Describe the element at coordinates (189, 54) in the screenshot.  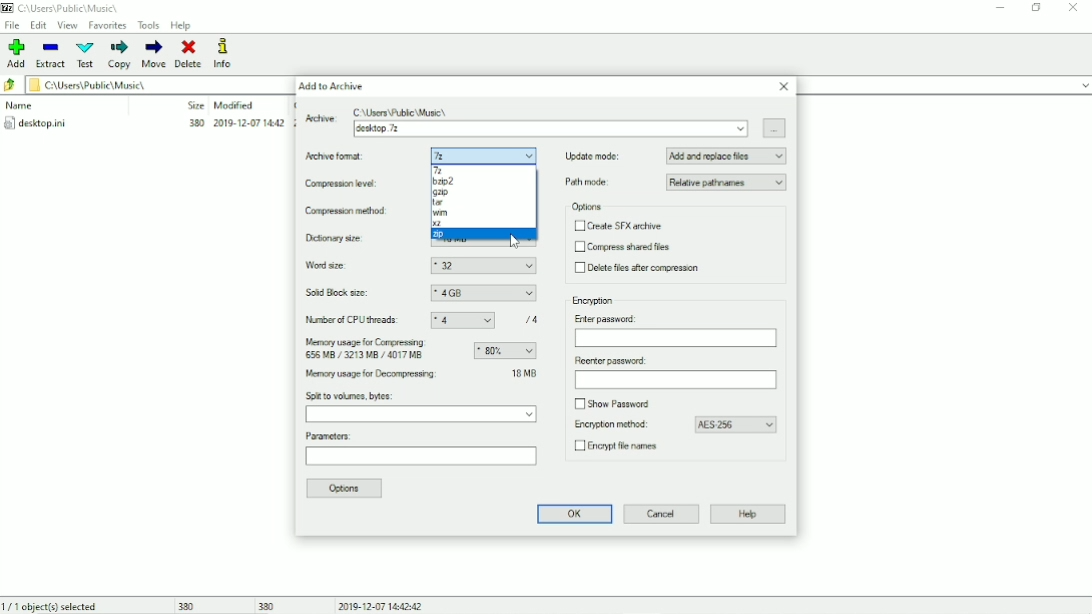
I see `Delete` at that location.